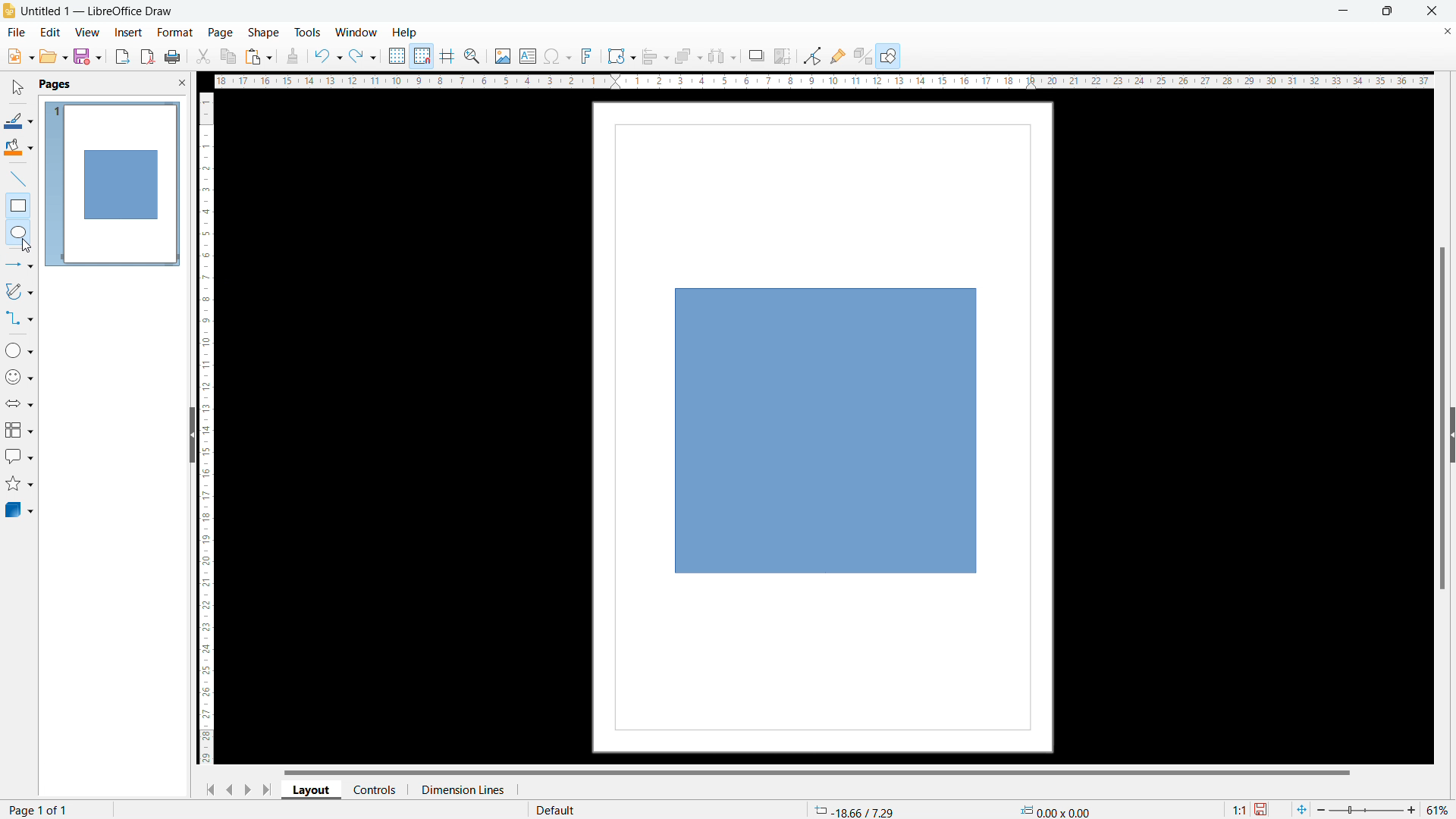 The width and height of the screenshot is (1456, 819). Describe the element at coordinates (422, 55) in the screenshot. I see `snap to grid` at that location.